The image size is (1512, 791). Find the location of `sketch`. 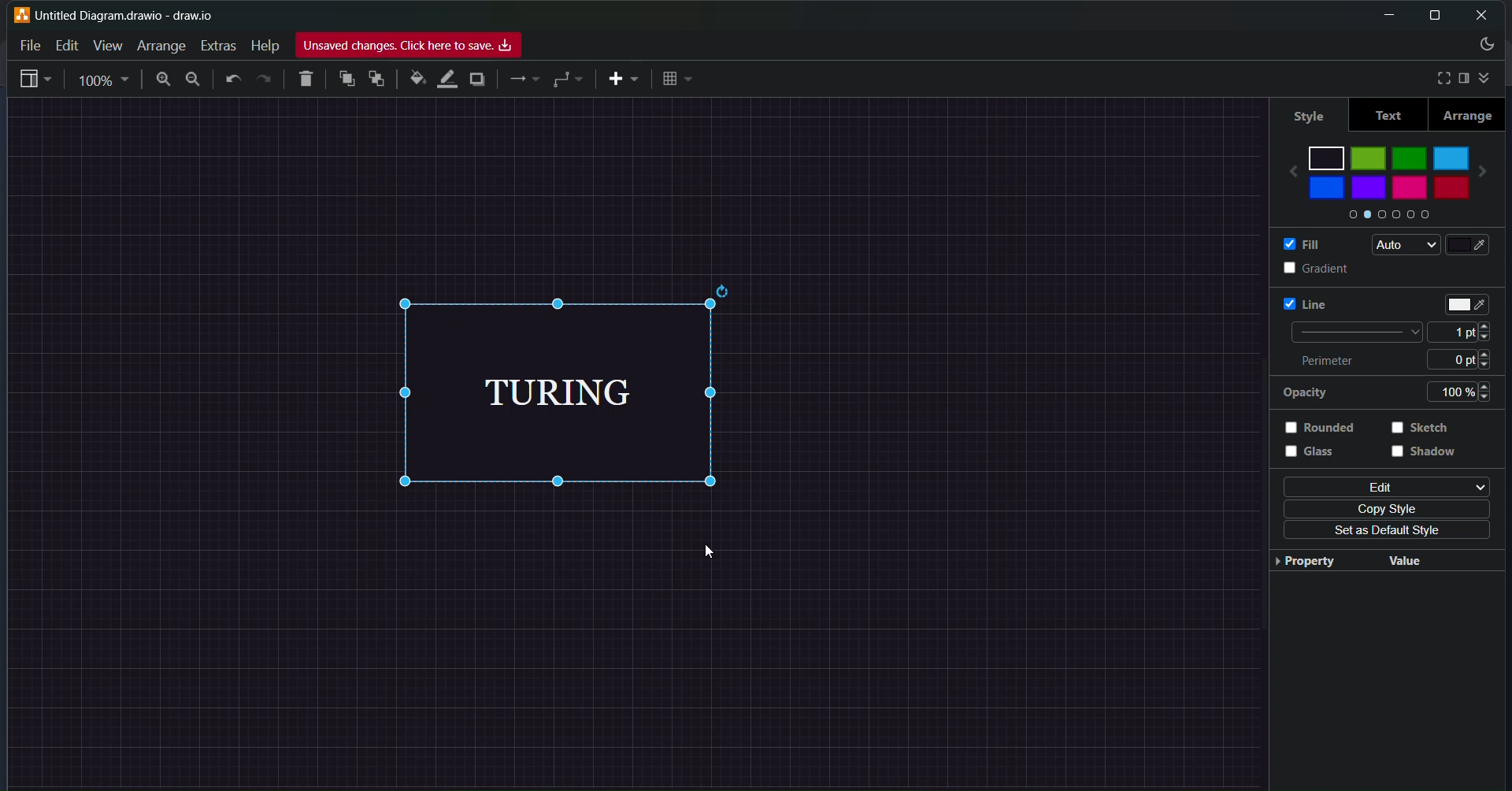

sketch is located at coordinates (1425, 429).